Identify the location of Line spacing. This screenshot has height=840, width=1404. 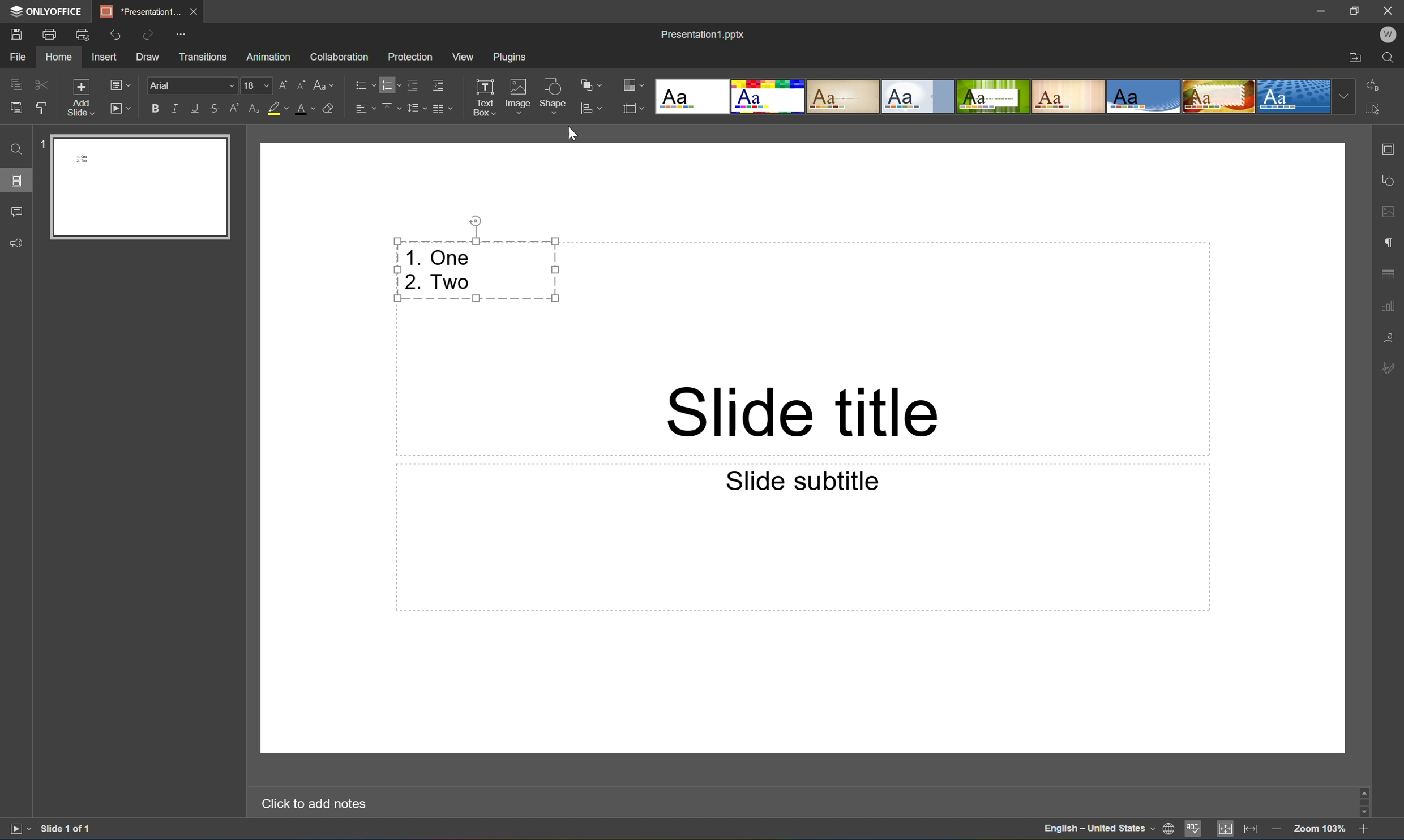
(416, 112).